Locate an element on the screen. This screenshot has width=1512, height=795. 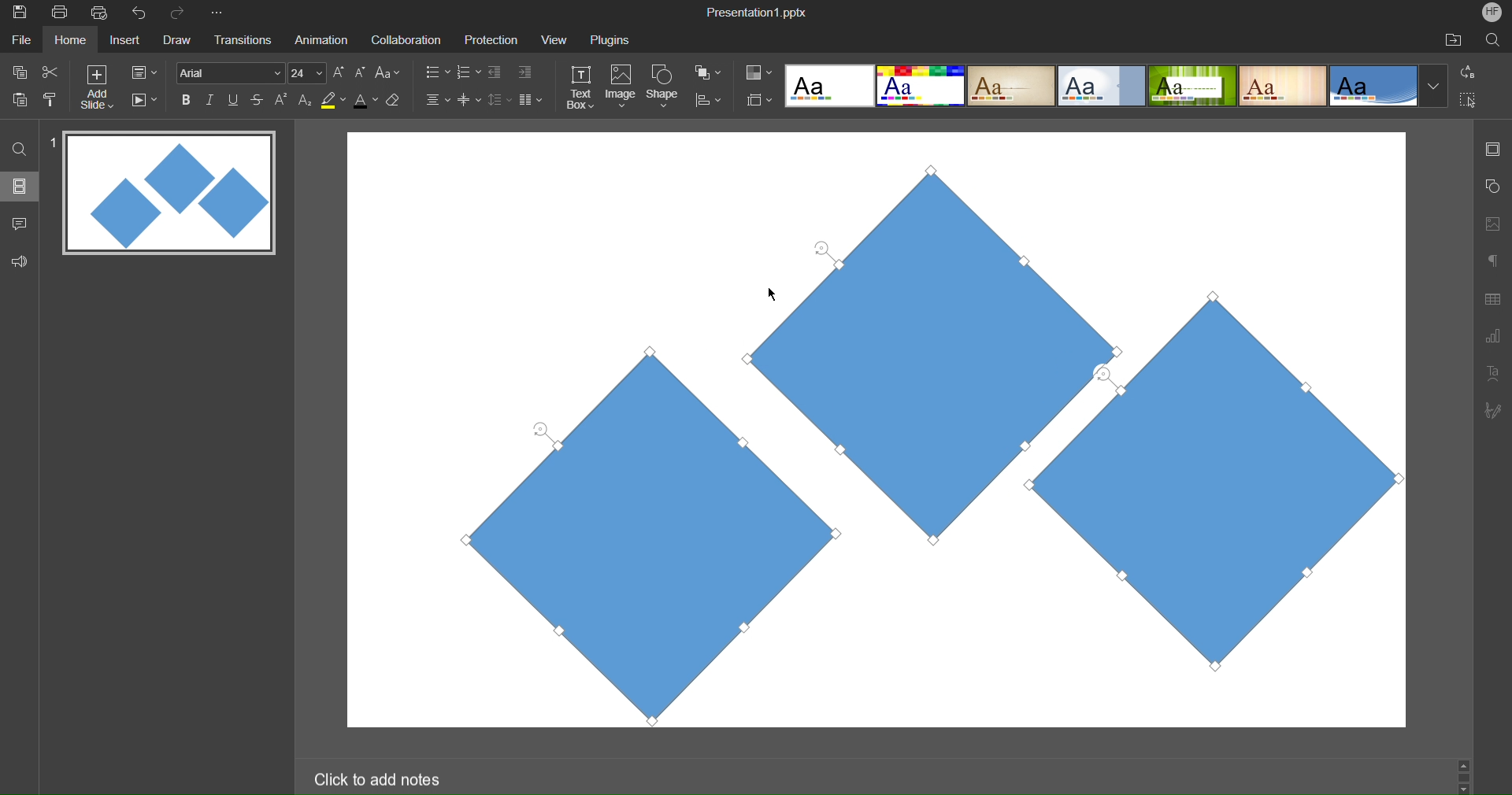
Strikethrough is located at coordinates (258, 99).